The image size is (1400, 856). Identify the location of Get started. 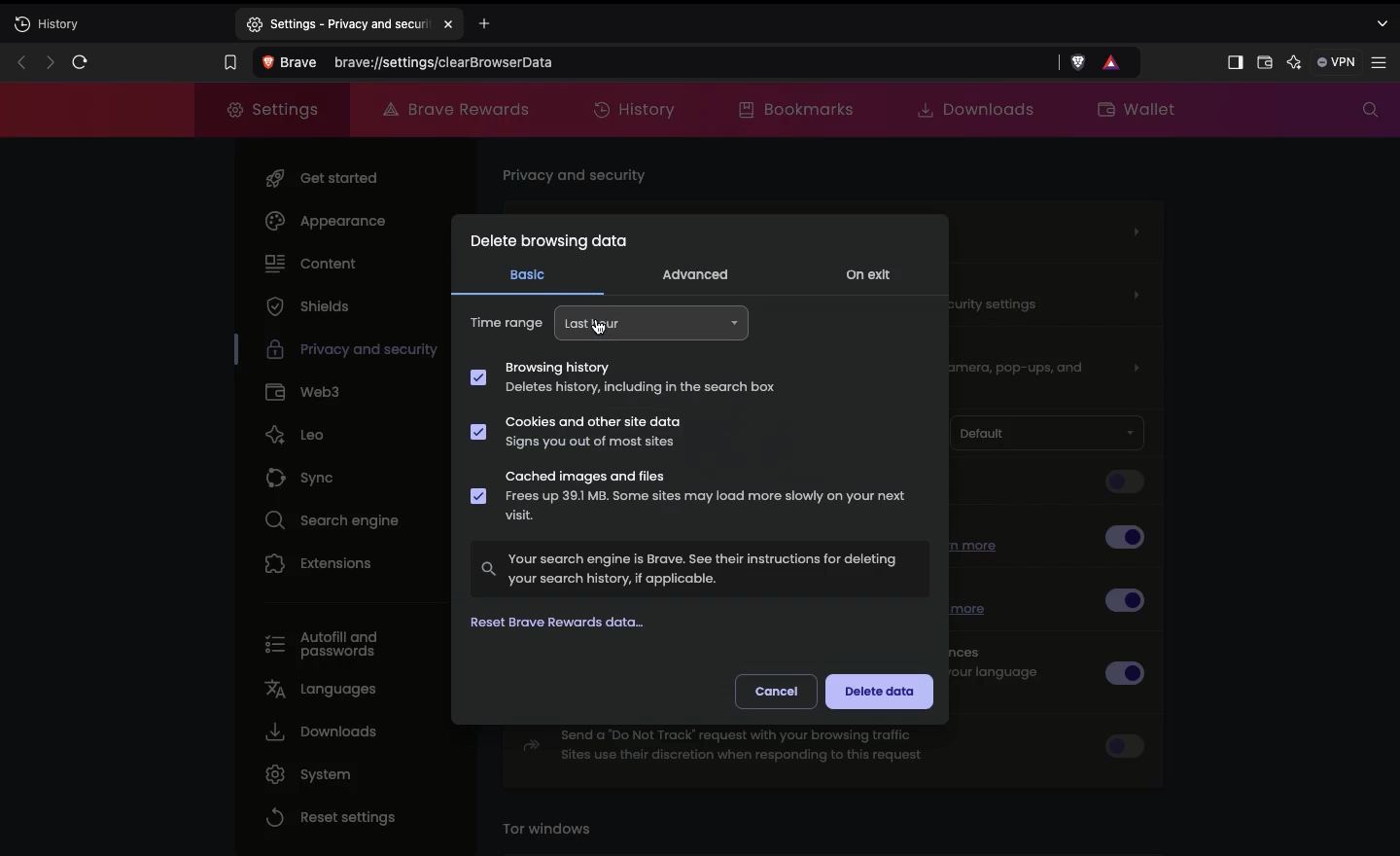
(323, 180).